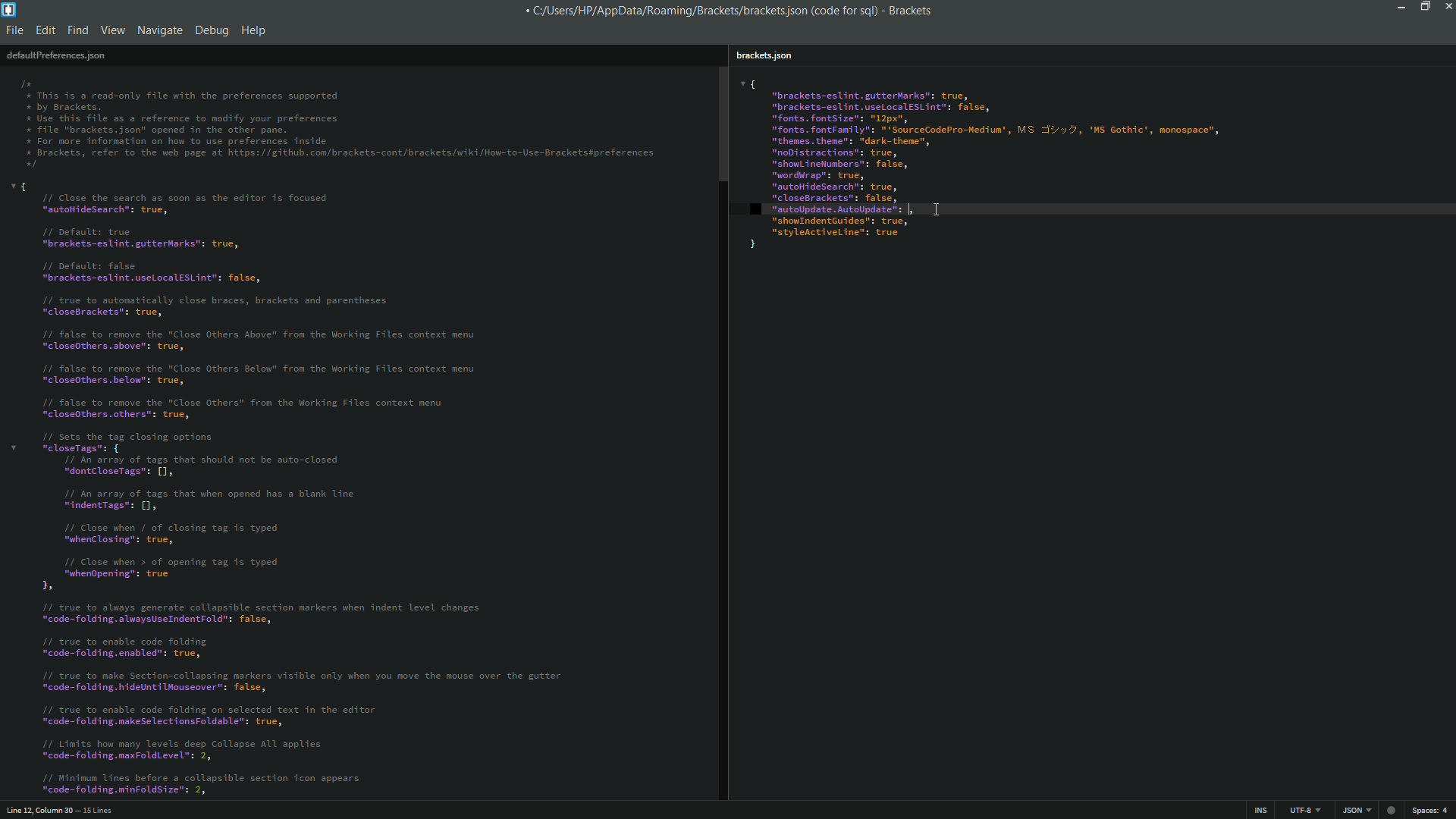  I want to click on view menu, so click(113, 30).